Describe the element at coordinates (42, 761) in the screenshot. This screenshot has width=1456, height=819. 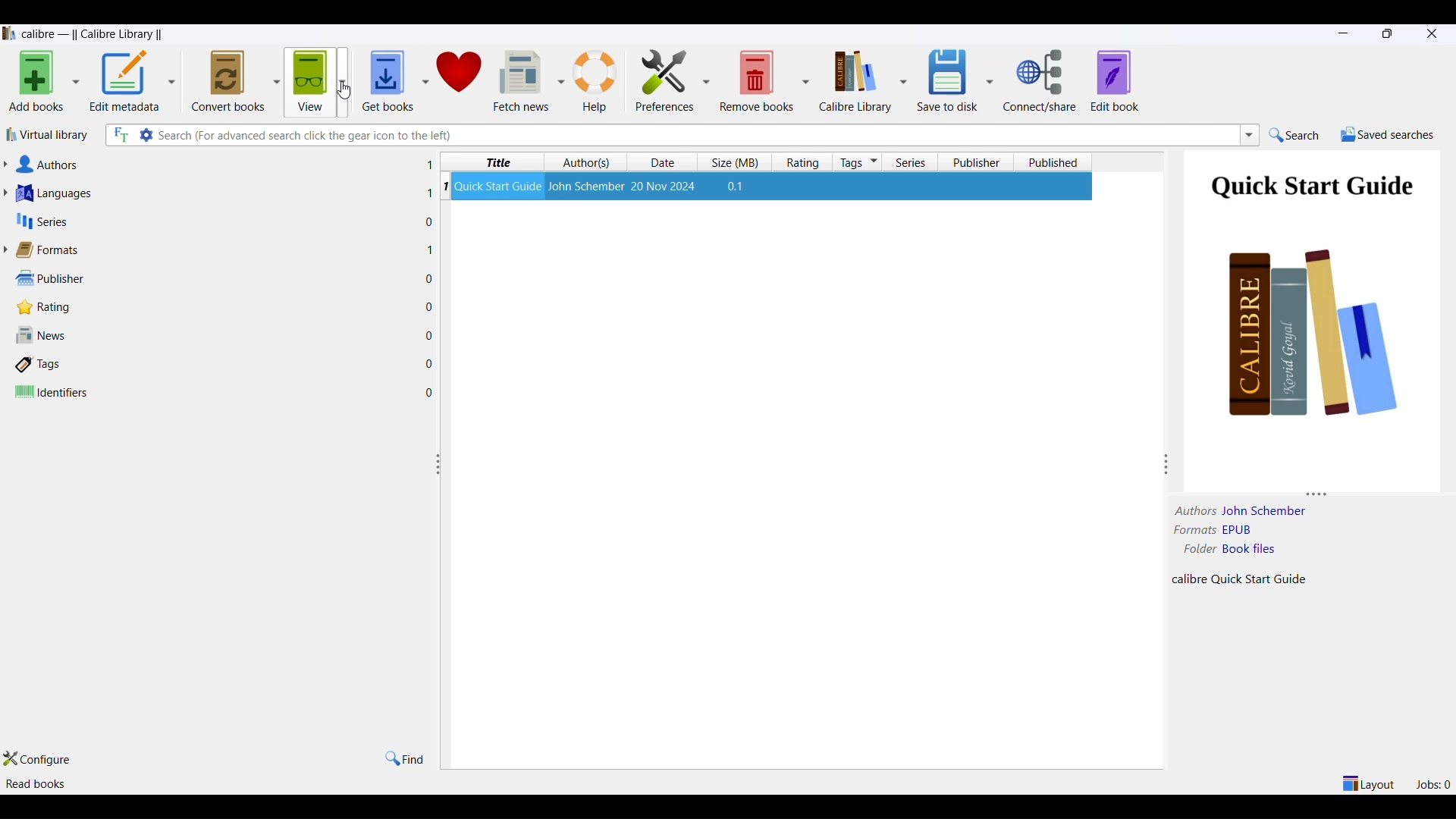
I see `configure` at that location.